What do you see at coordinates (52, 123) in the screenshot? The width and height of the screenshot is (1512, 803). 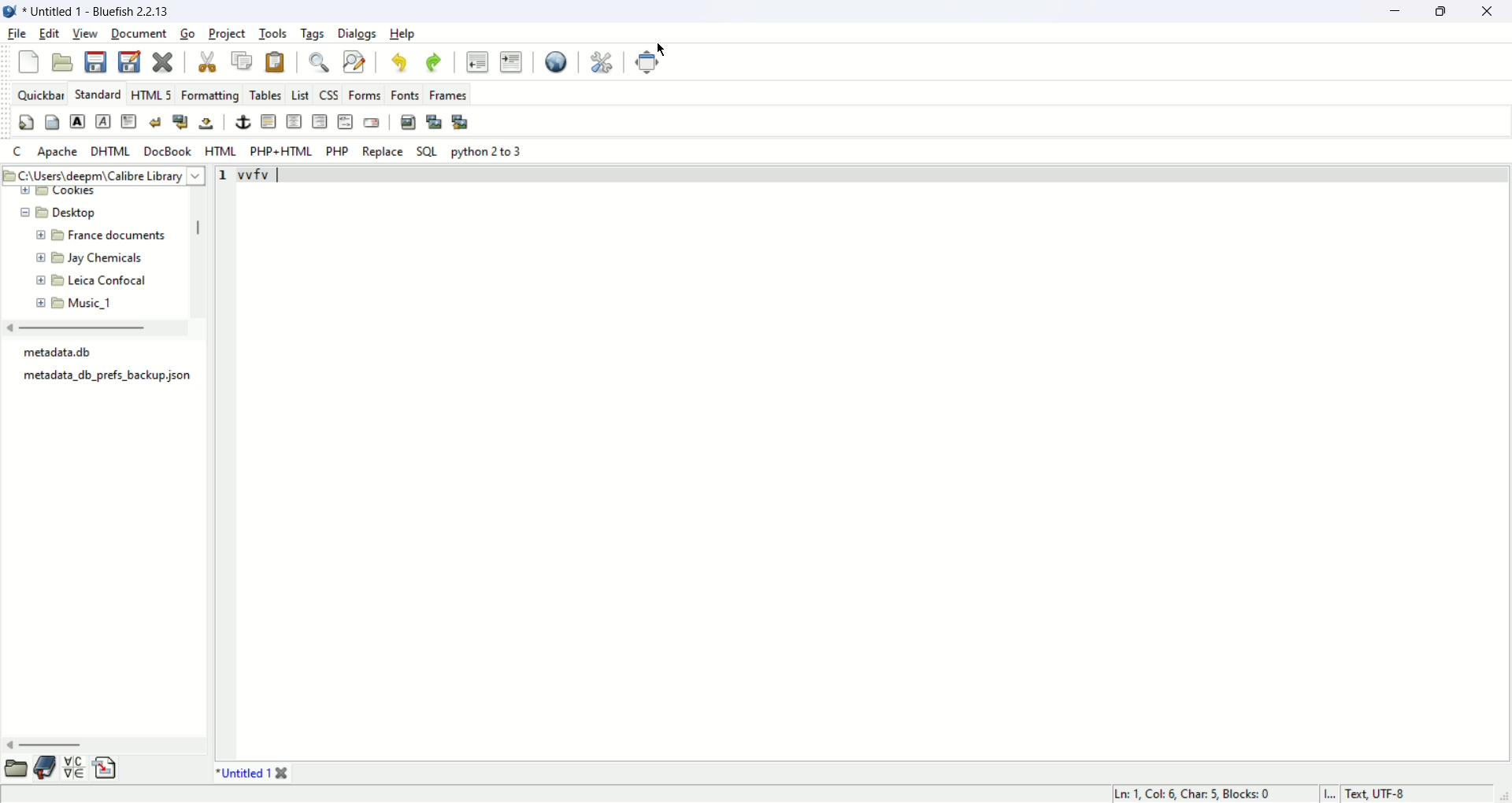 I see `body` at bounding box center [52, 123].